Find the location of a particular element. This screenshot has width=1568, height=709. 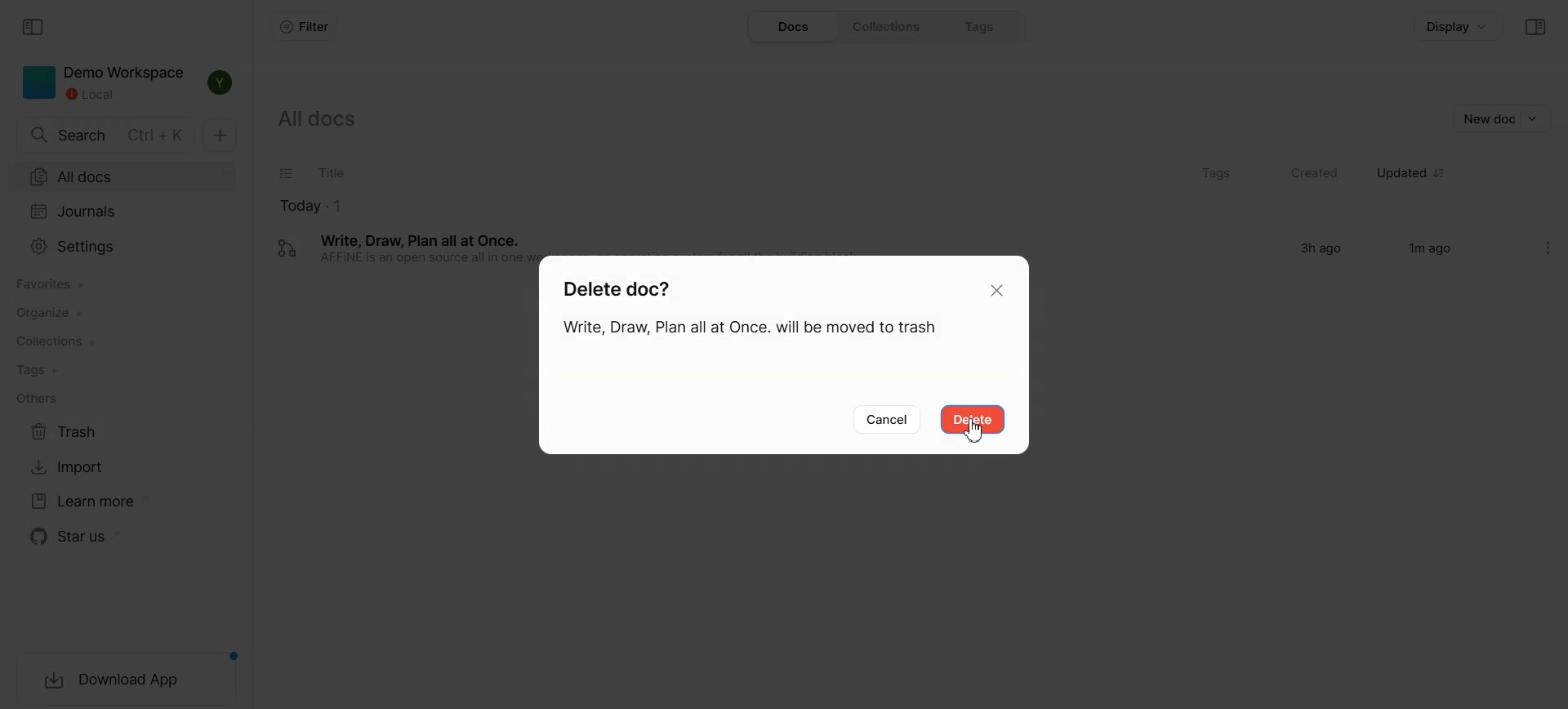

Star us is located at coordinates (109, 537).